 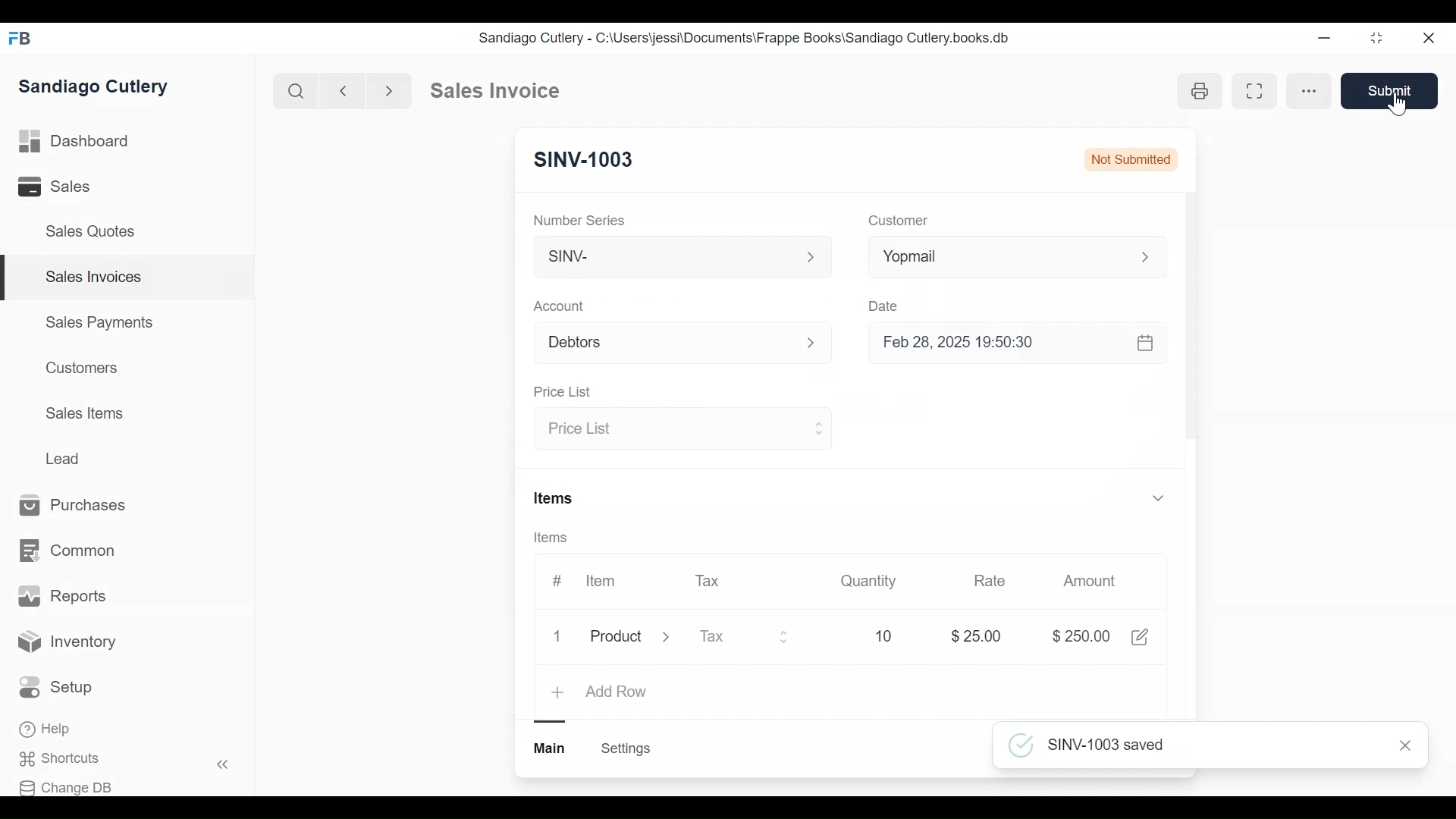 What do you see at coordinates (560, 306) in the screenshot?
I see `Account` at bounding box center [560, 306].